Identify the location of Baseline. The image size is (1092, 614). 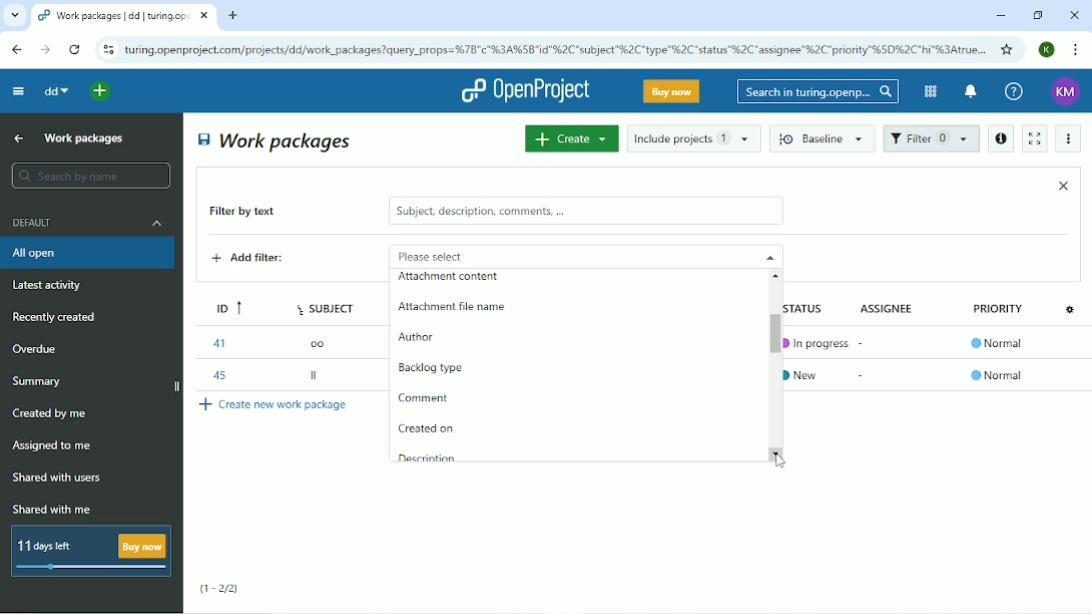
(824, 138).